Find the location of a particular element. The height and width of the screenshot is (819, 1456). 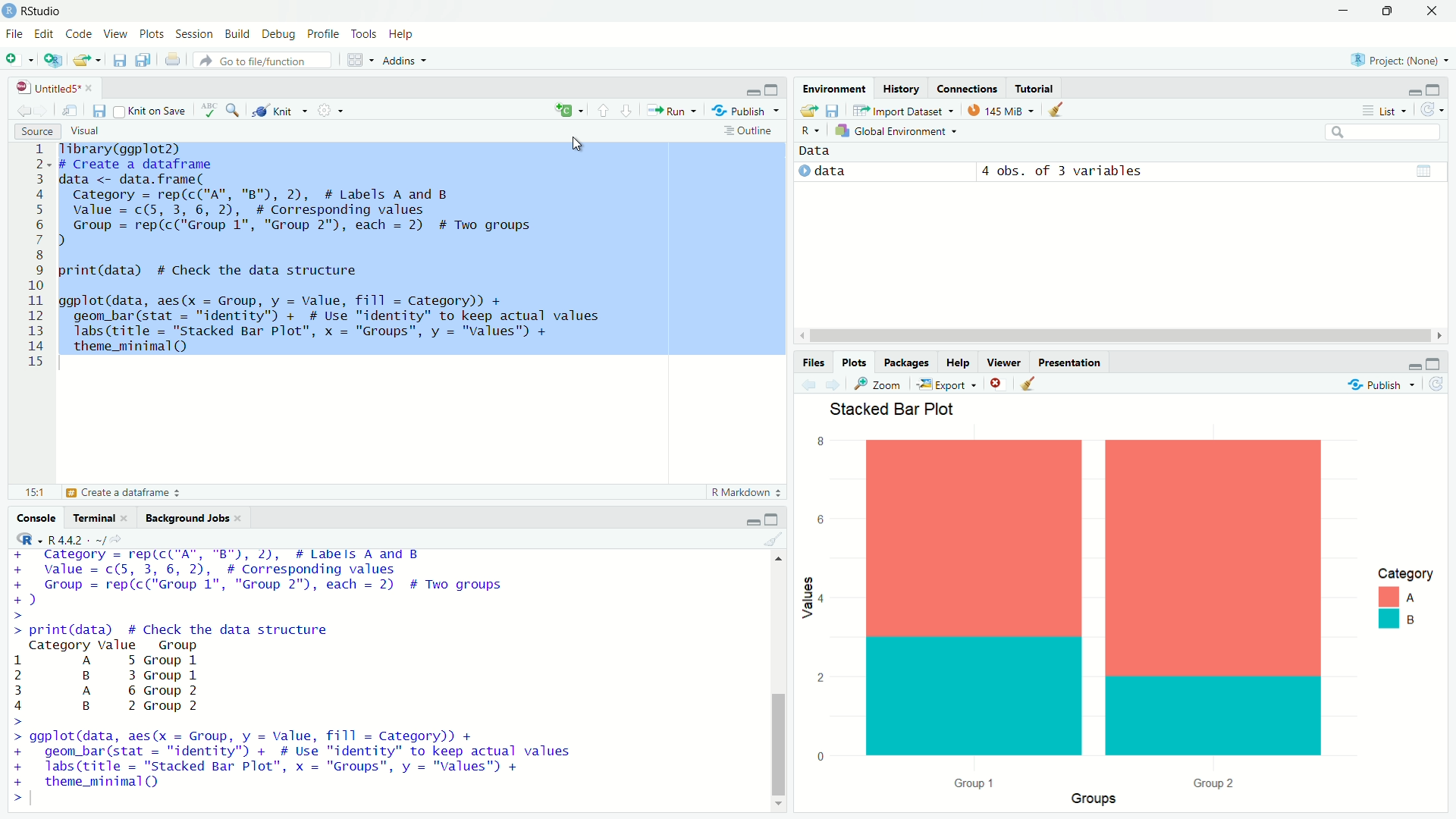

Refresh current plot is located at coordinates (1439, 383).